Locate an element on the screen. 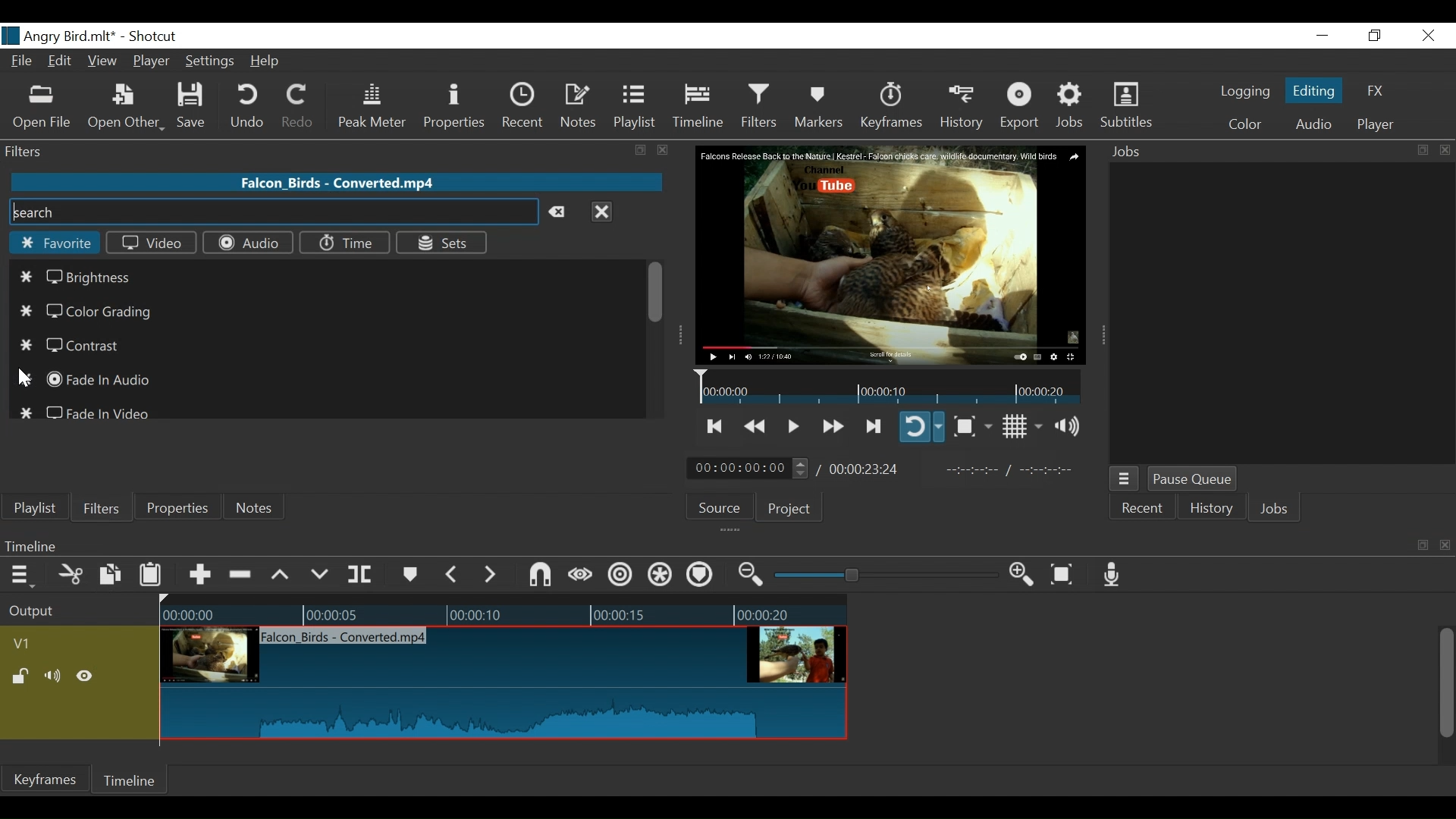  Notes is located at coordinates (579, 106).